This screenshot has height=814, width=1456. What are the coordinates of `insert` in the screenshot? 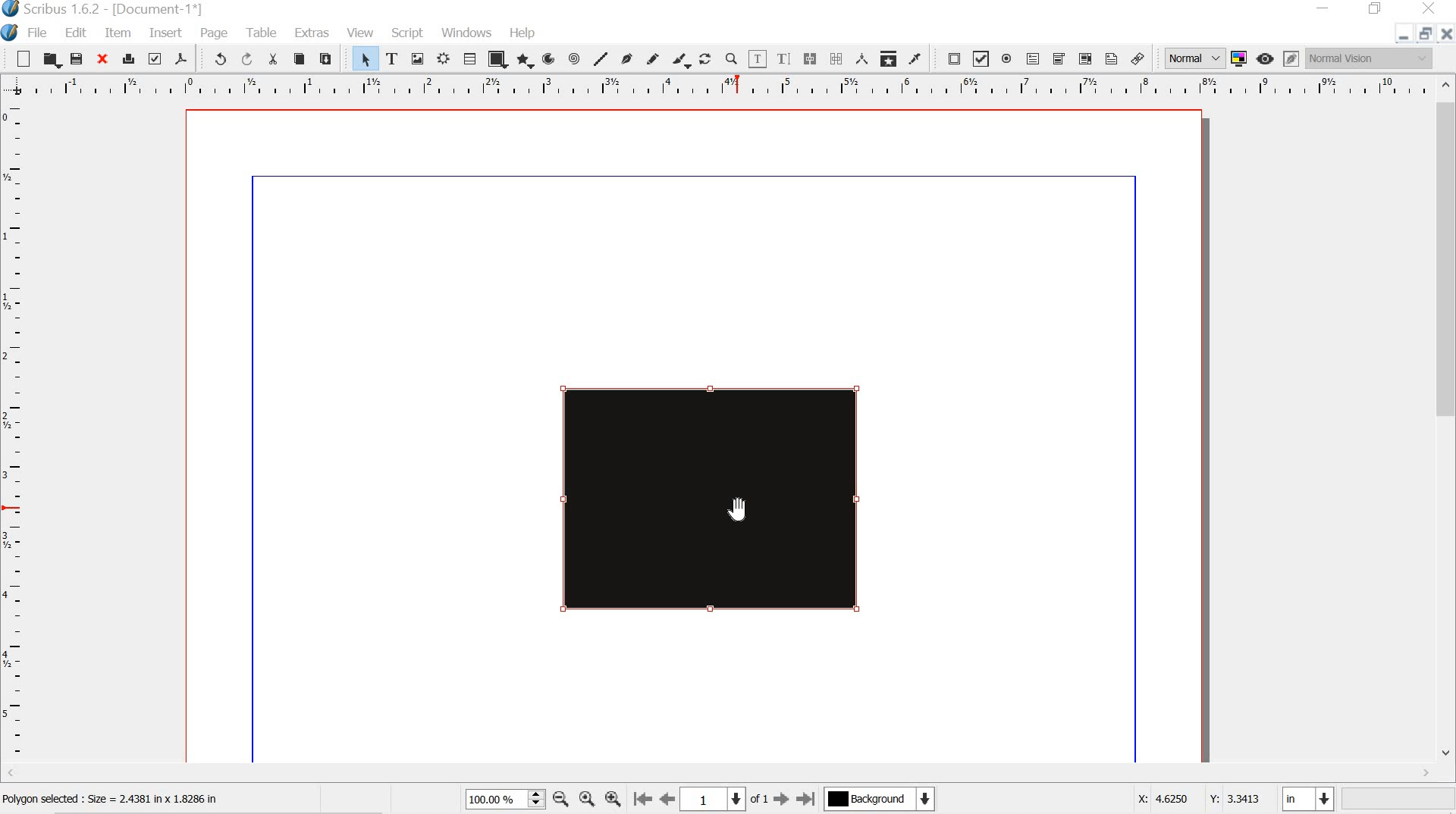 It's located at (165, 33).